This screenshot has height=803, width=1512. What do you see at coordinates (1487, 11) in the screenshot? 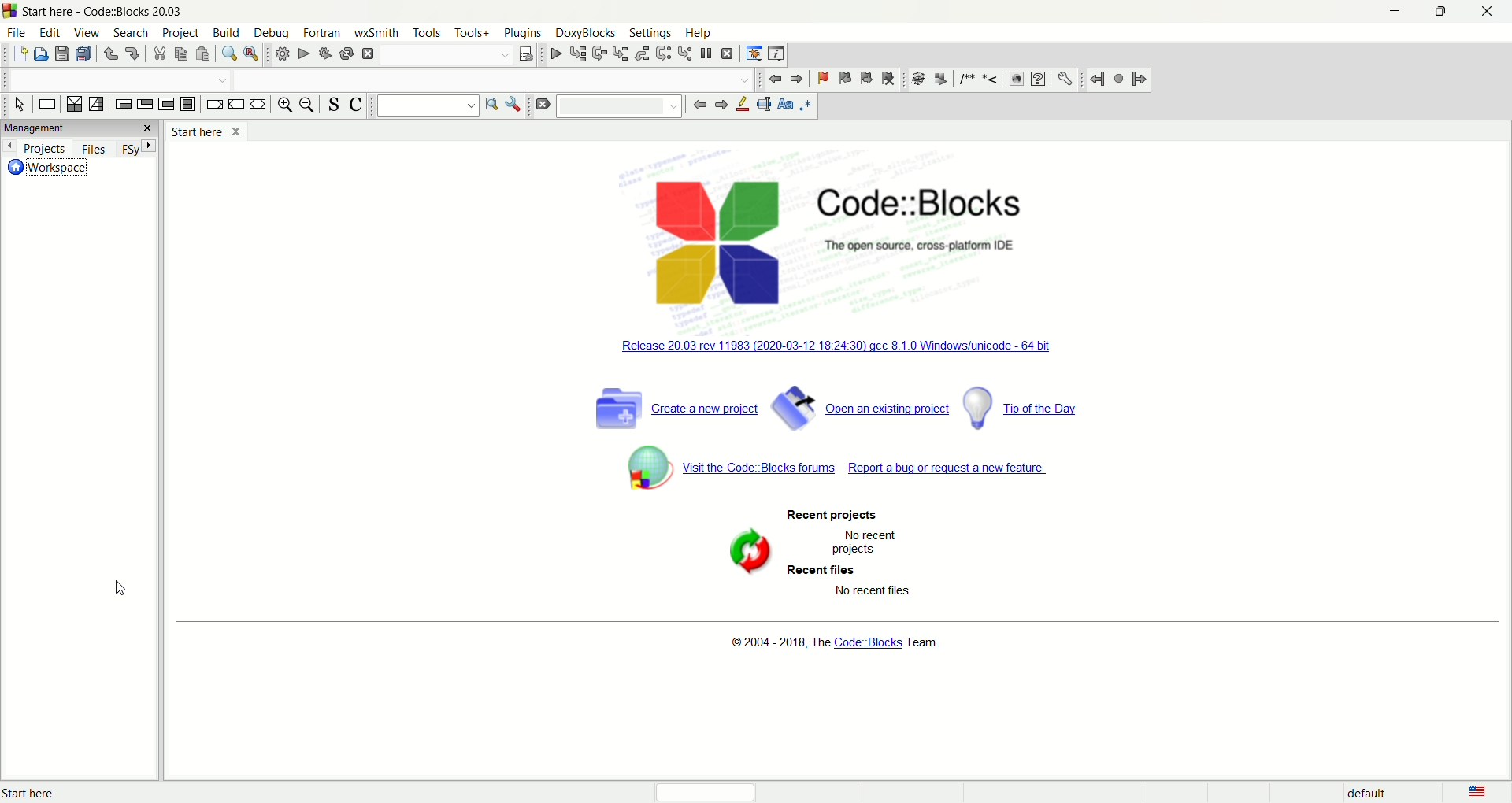
I see `close` at bounding box center [1487, 11].